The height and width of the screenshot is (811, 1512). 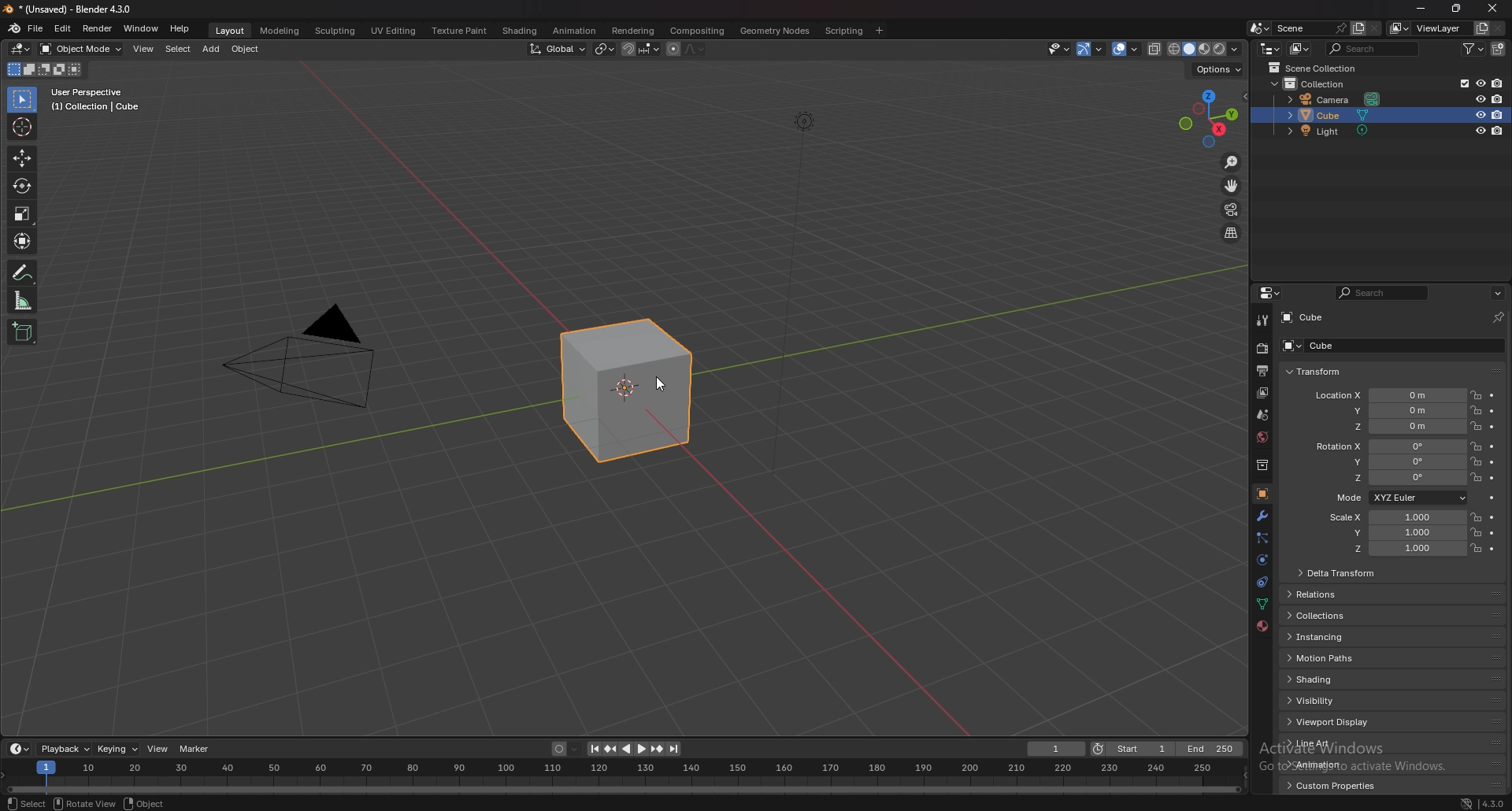 What do you see at coordinates (1498, 99) in the screenshot?
I see `disable in render` at bounding box center [1498, 99].